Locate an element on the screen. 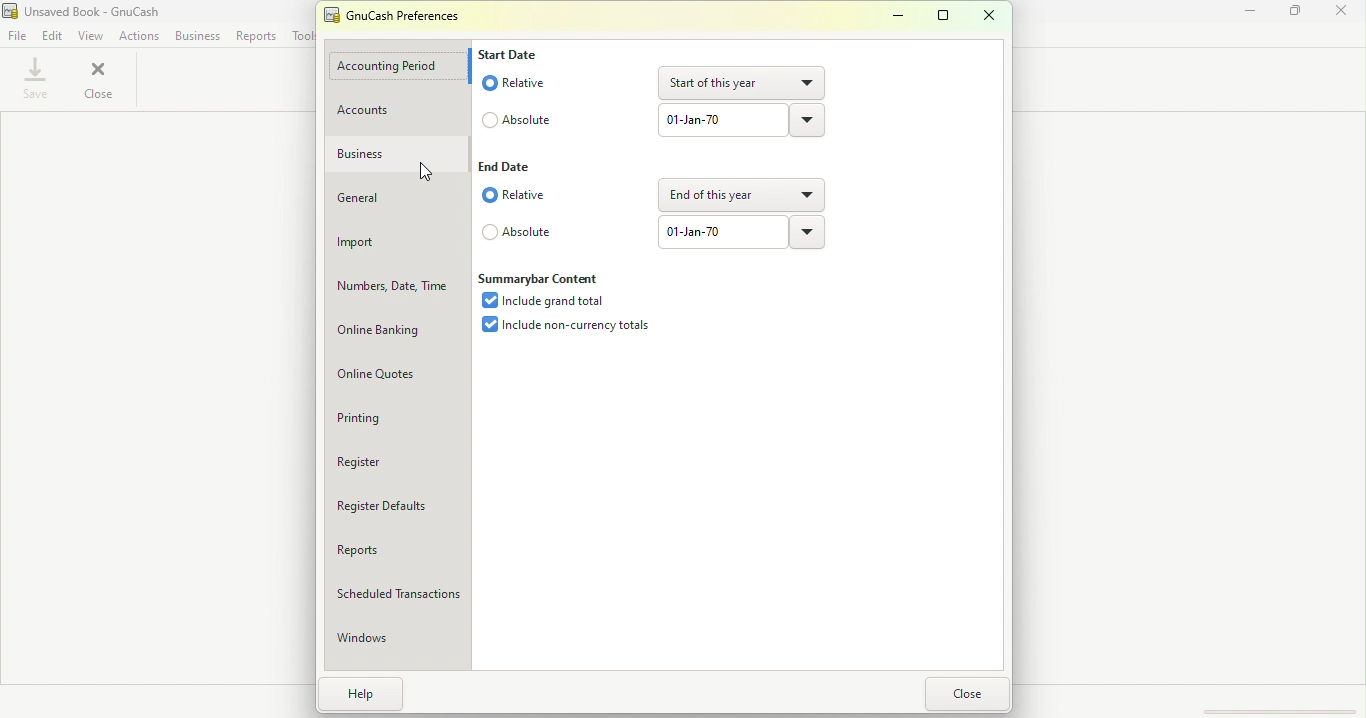  Relative is located at coordinates (511, 198).